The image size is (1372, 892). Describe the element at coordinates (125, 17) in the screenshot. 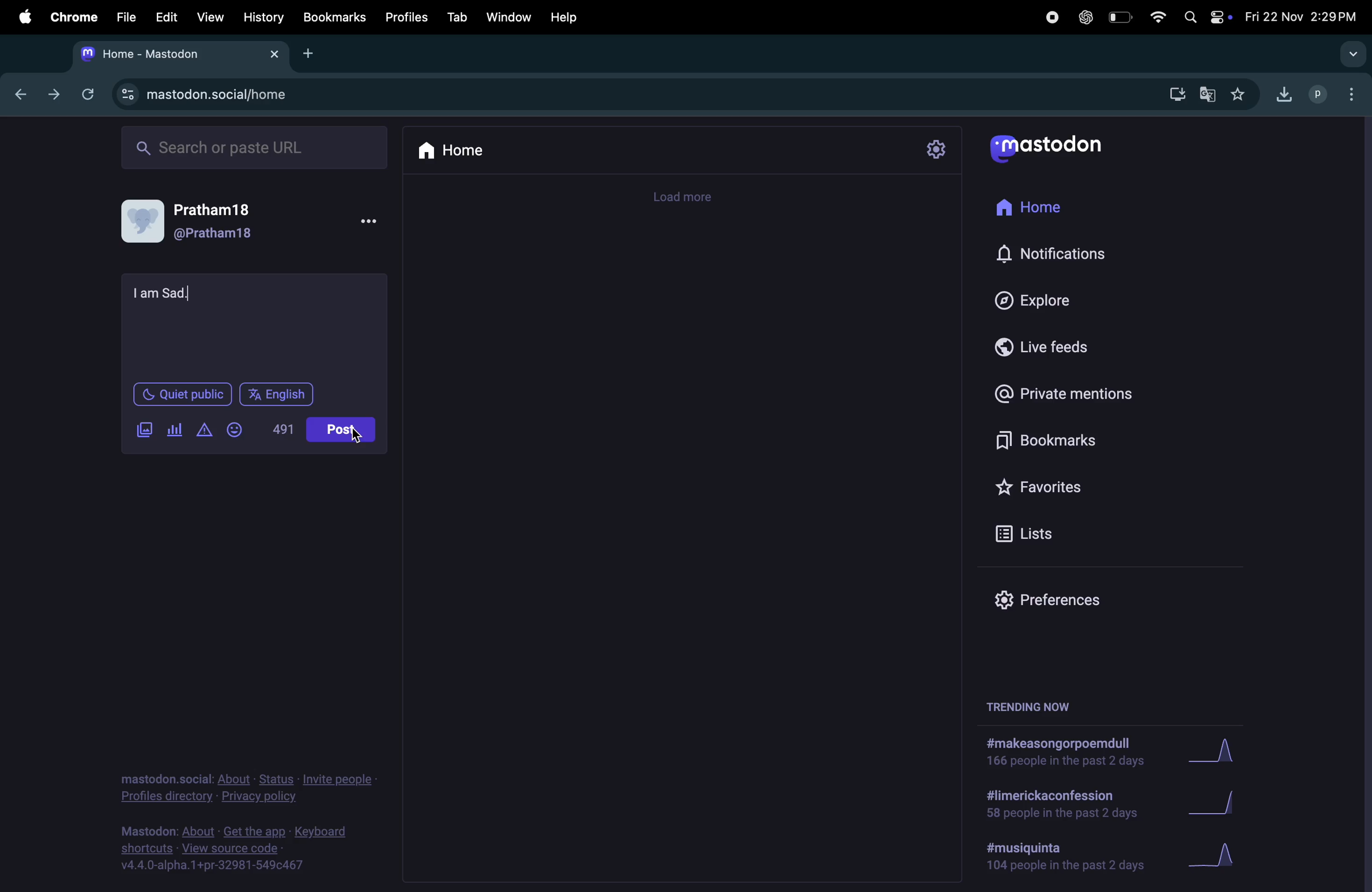

I see `file` at that location.